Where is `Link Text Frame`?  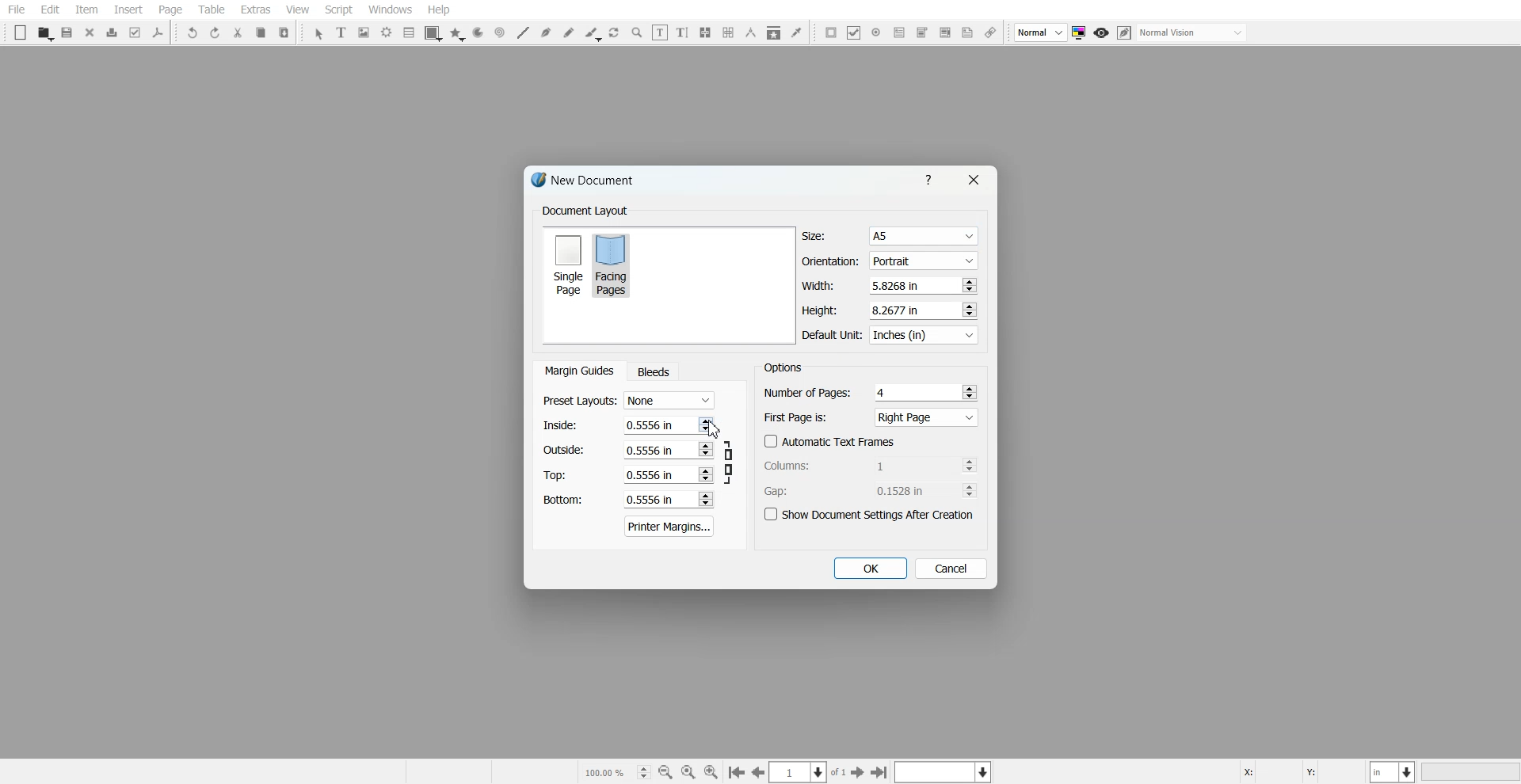 Link Text Frame is located at coordinates (705, 32).